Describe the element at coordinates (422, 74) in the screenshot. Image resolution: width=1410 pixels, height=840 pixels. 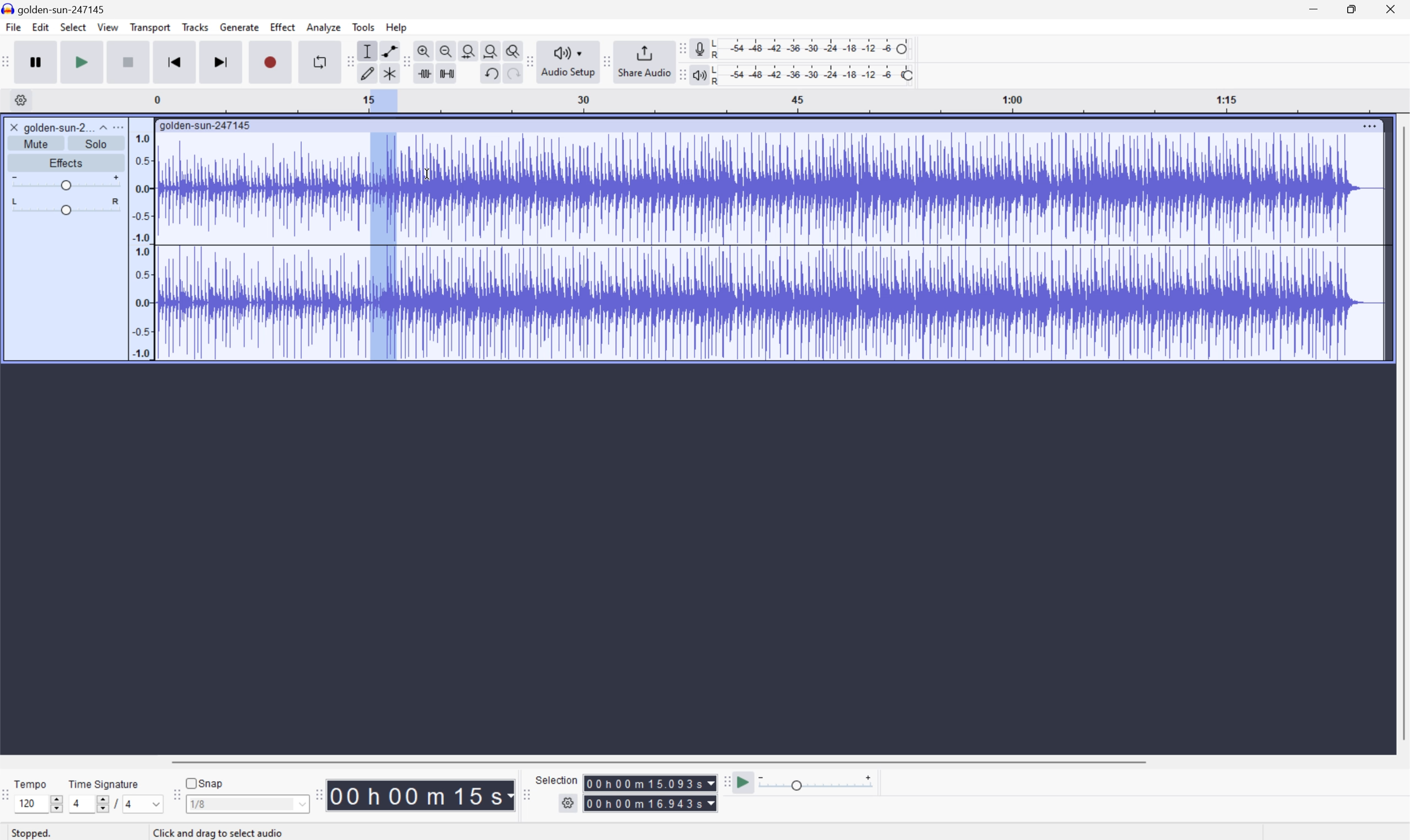
I see `Trim audio outside selection` at that location.